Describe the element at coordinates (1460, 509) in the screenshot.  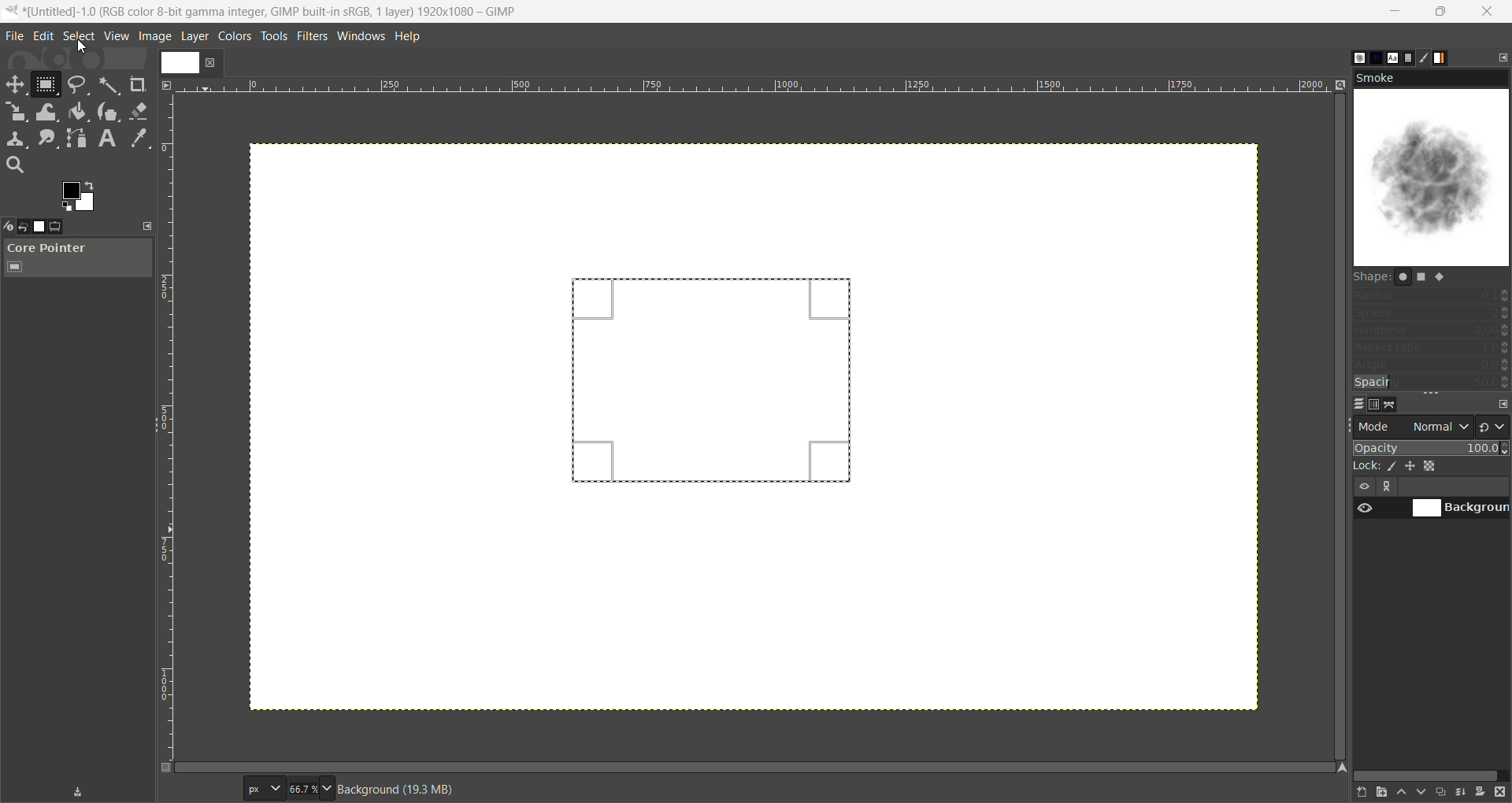
I see `background` at that location.